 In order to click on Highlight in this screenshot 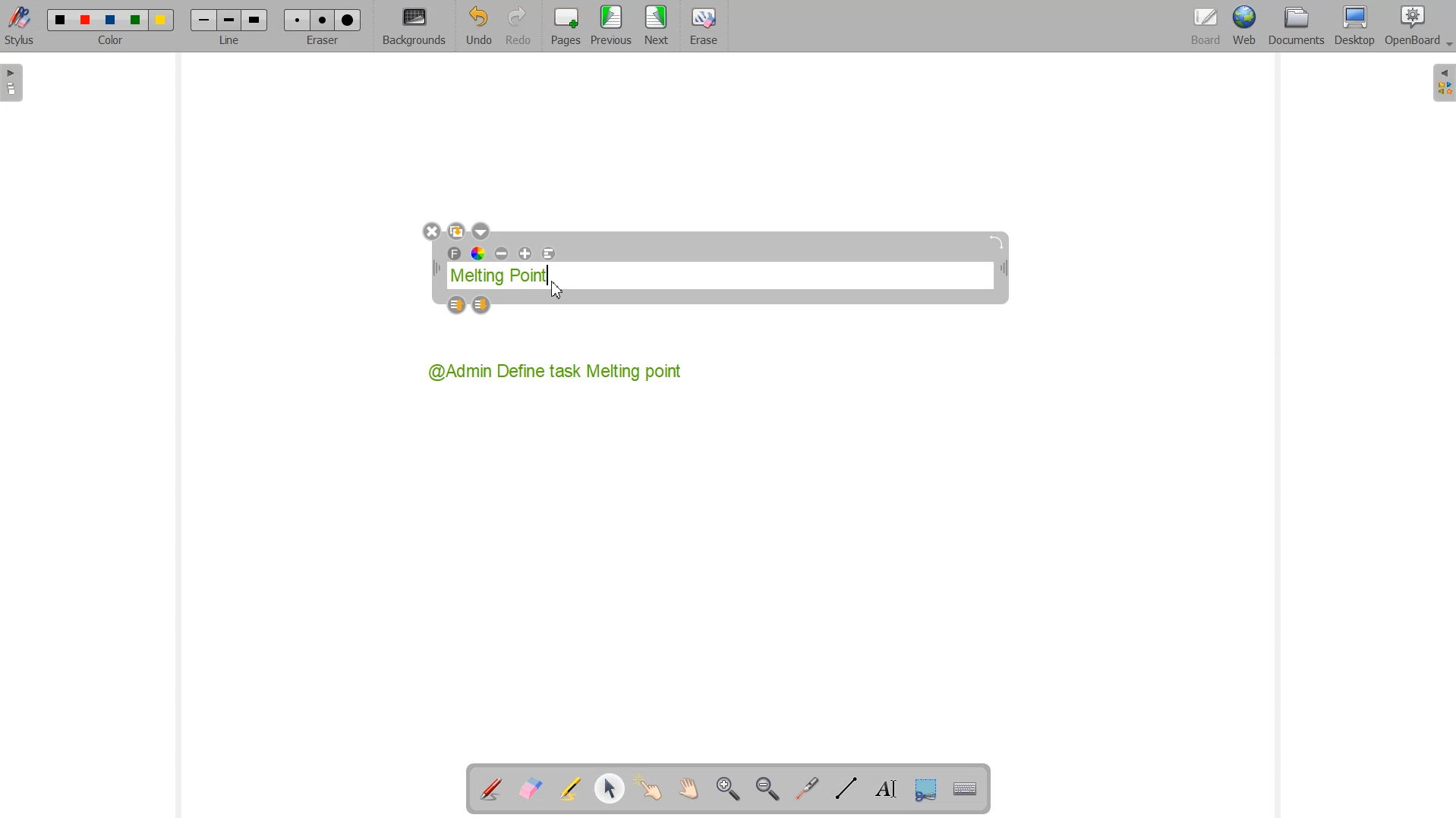, I will do `click(572, 790)`.